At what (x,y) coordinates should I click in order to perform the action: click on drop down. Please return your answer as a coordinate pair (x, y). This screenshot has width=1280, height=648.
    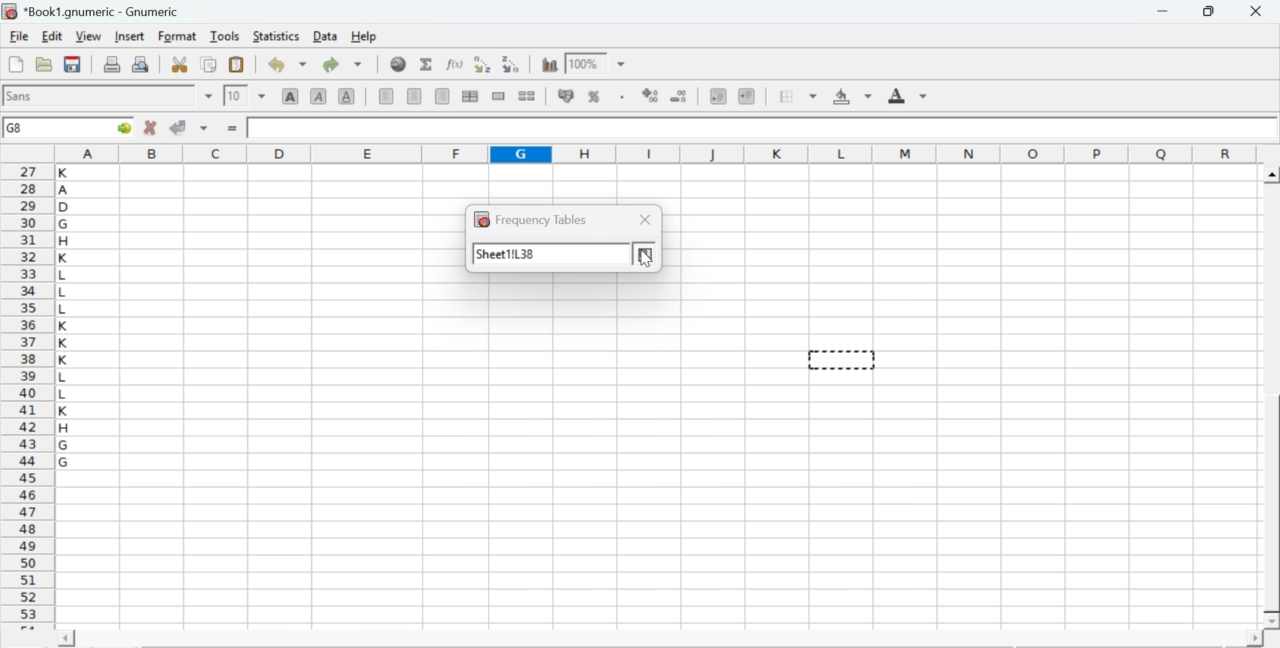
    Looking at the image, I should click on (262, 95).